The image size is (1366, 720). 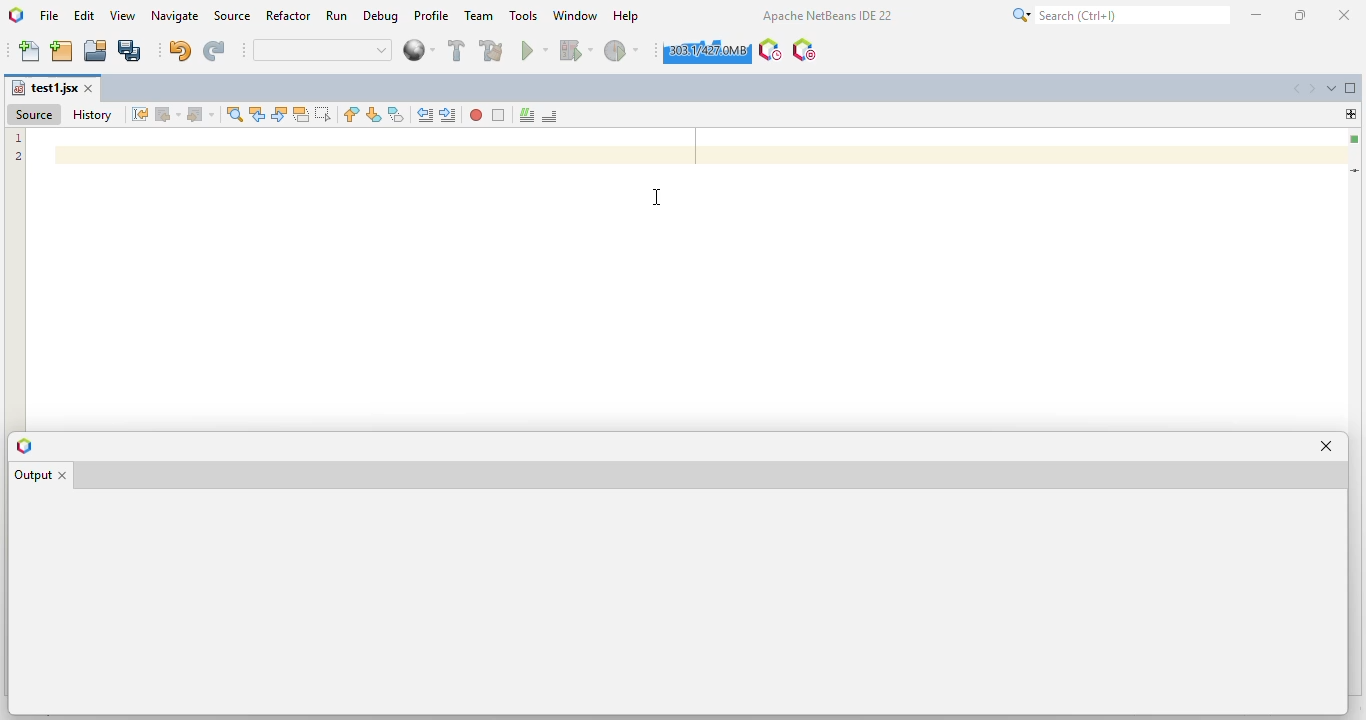 I want to click on scroll documents right, so click(x=1315, y=89).